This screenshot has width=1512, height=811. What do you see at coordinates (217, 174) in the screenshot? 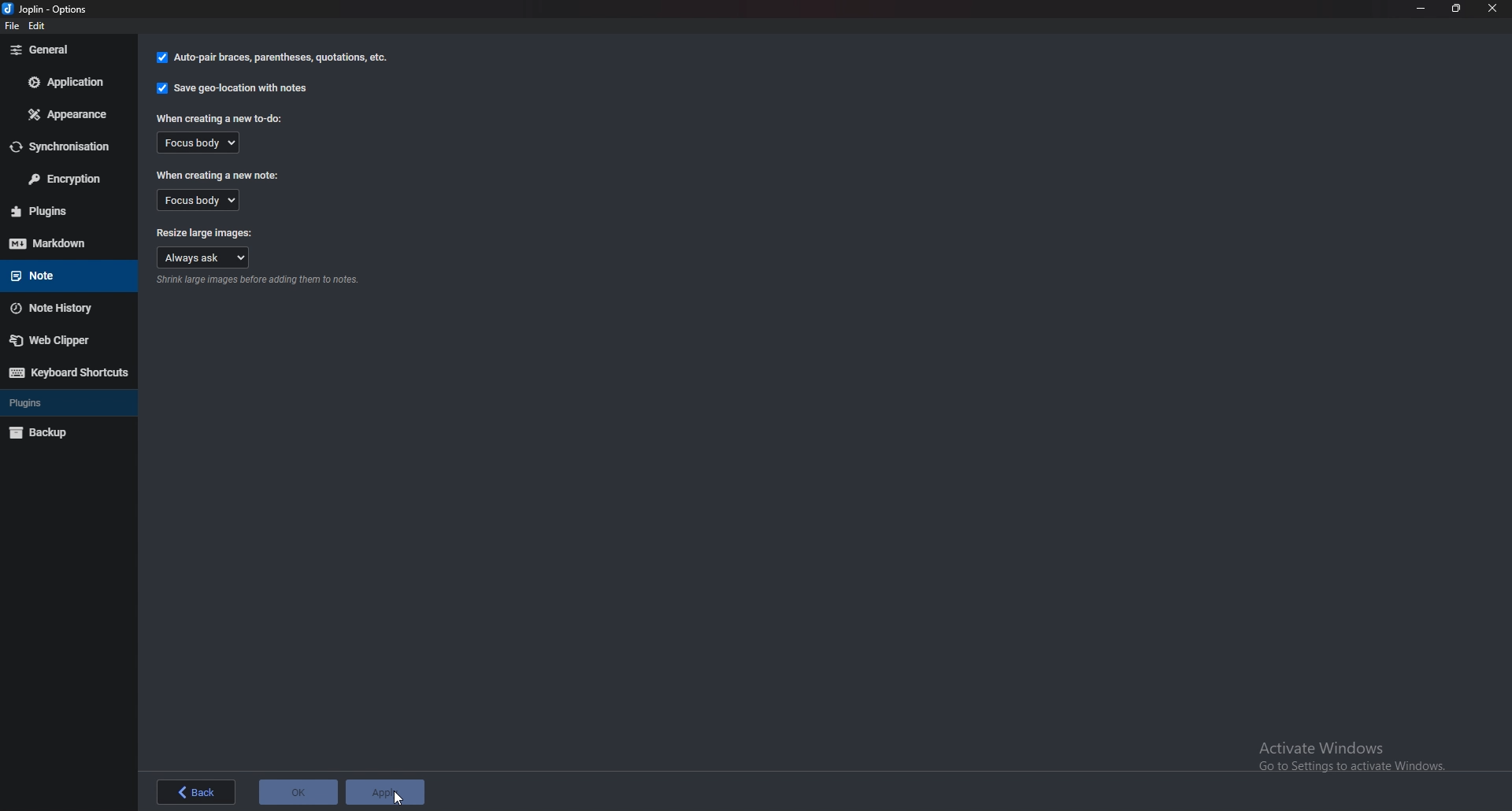
I see `when creating a new note` at bounding box center [217, 174].